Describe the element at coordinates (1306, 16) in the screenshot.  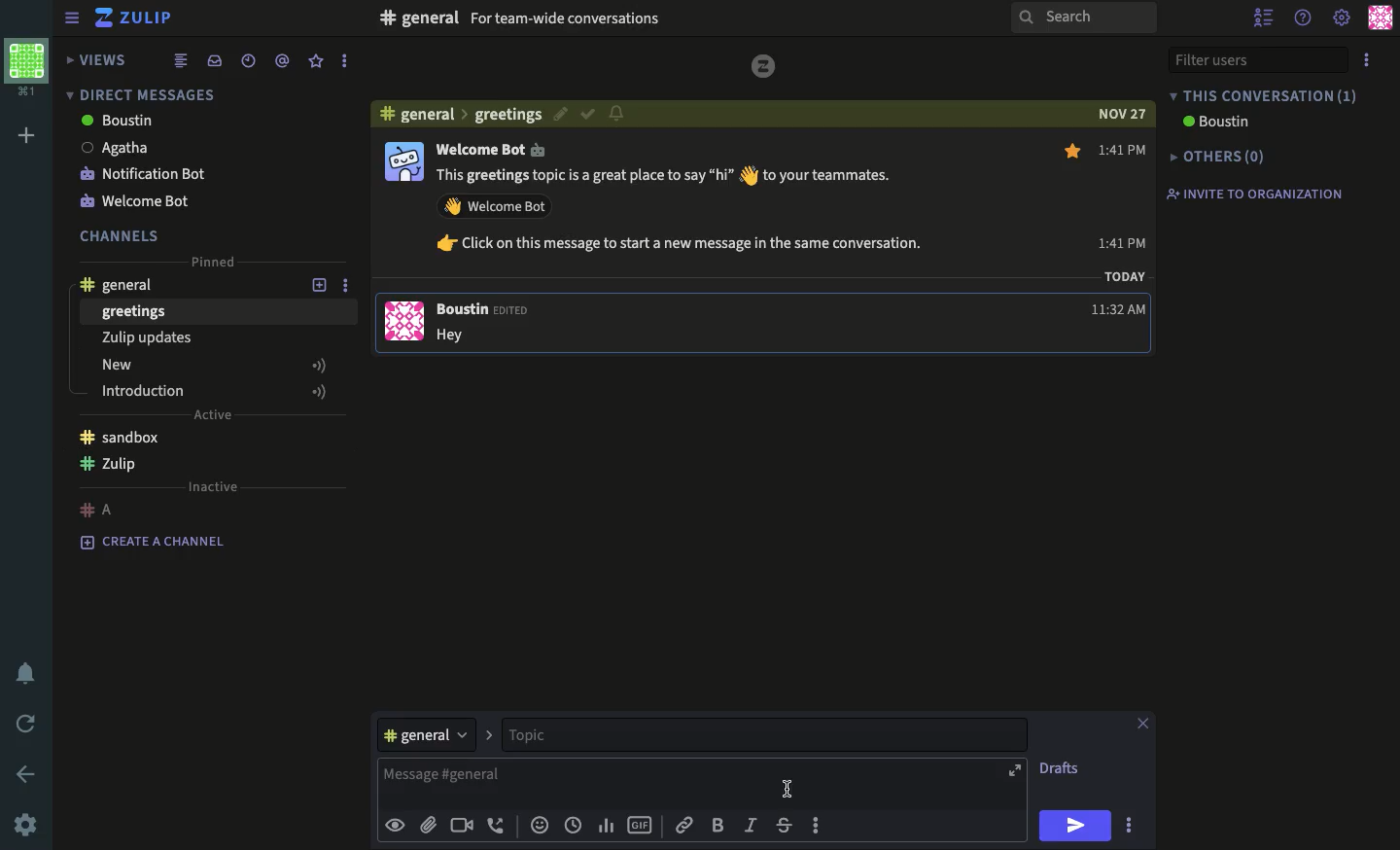
I see `help` at that location.